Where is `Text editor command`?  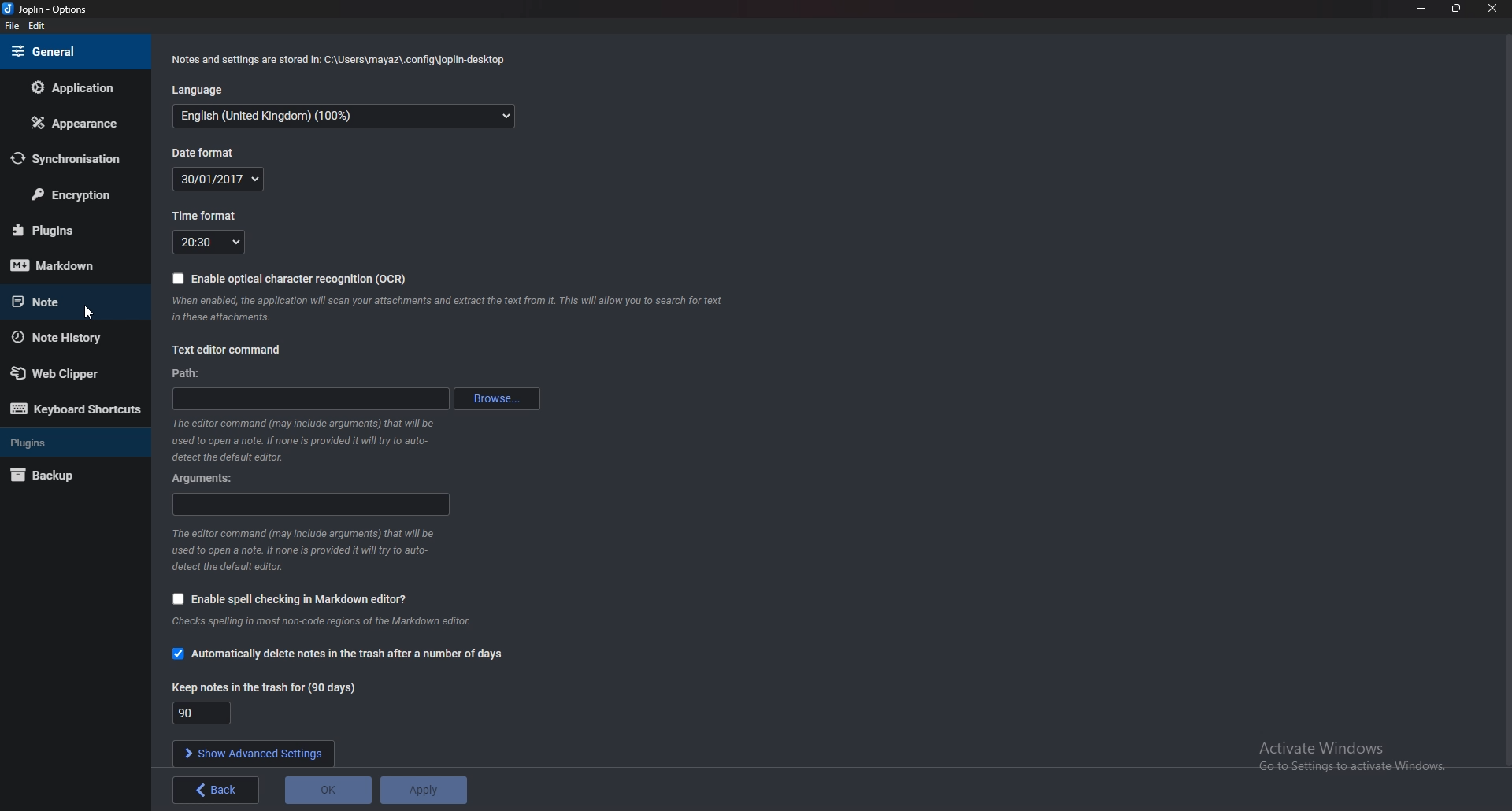
Text editor command is located at coordinates (227, 352).